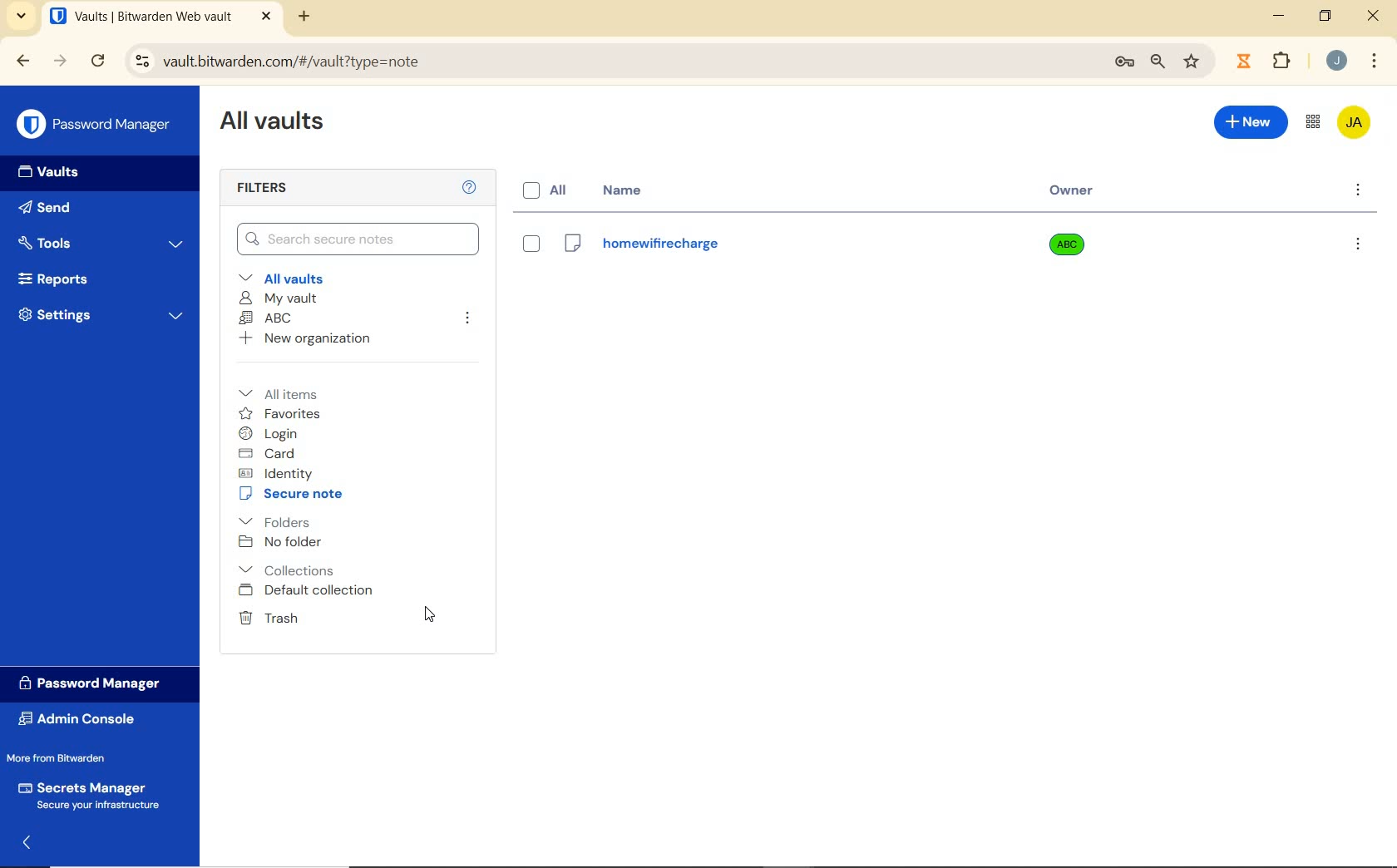 The width and height of the screenshot is (1397, 868). I want to click on card, so click(269, 453).